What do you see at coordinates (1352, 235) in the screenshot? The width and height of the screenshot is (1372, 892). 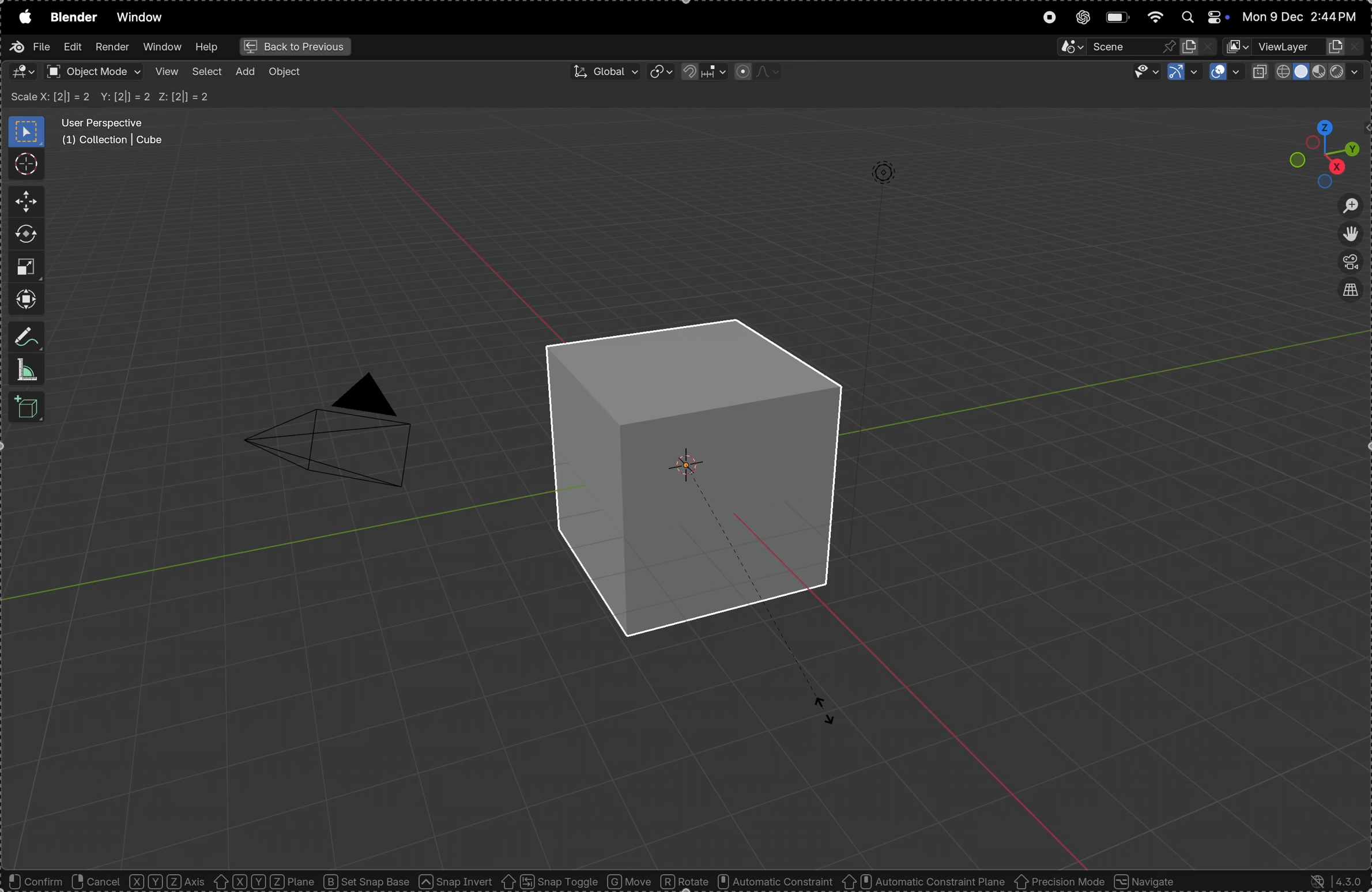 I see `move the view` at bounding box center [1352, 235].